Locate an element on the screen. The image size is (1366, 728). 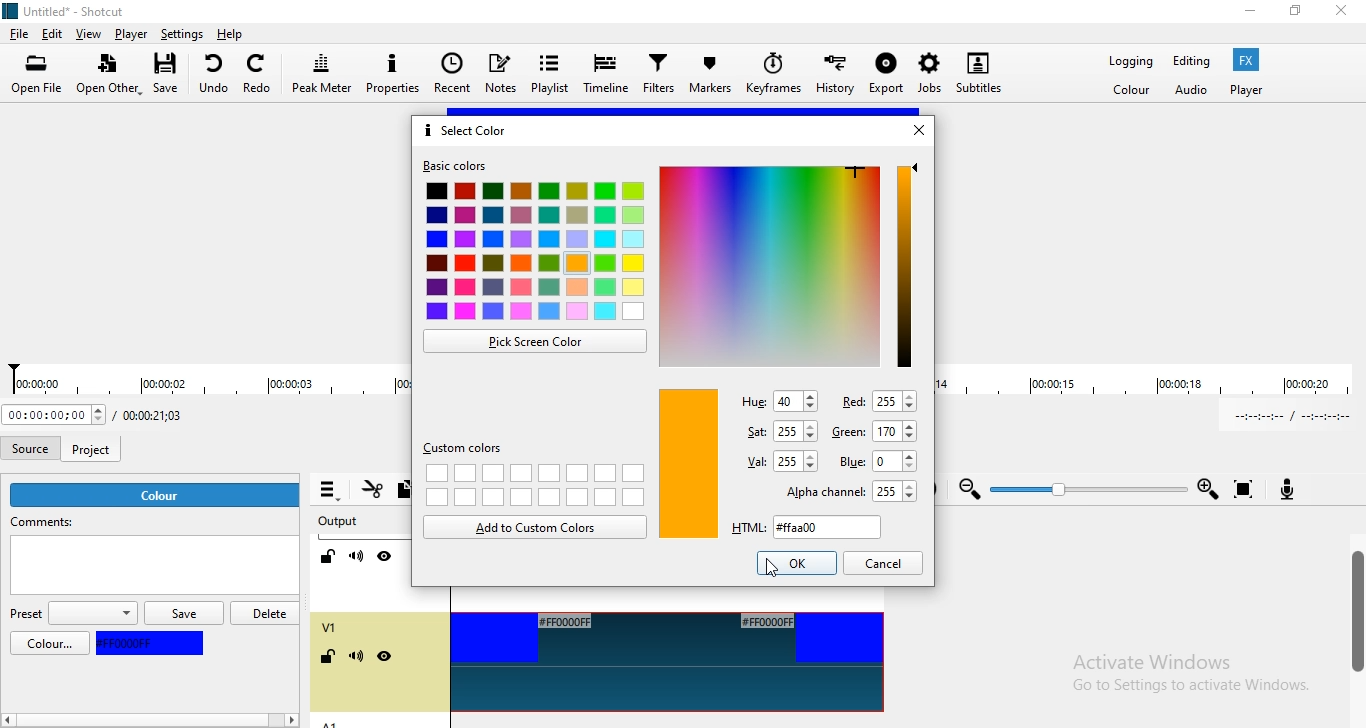
undo is located at coordinates (215, 73).